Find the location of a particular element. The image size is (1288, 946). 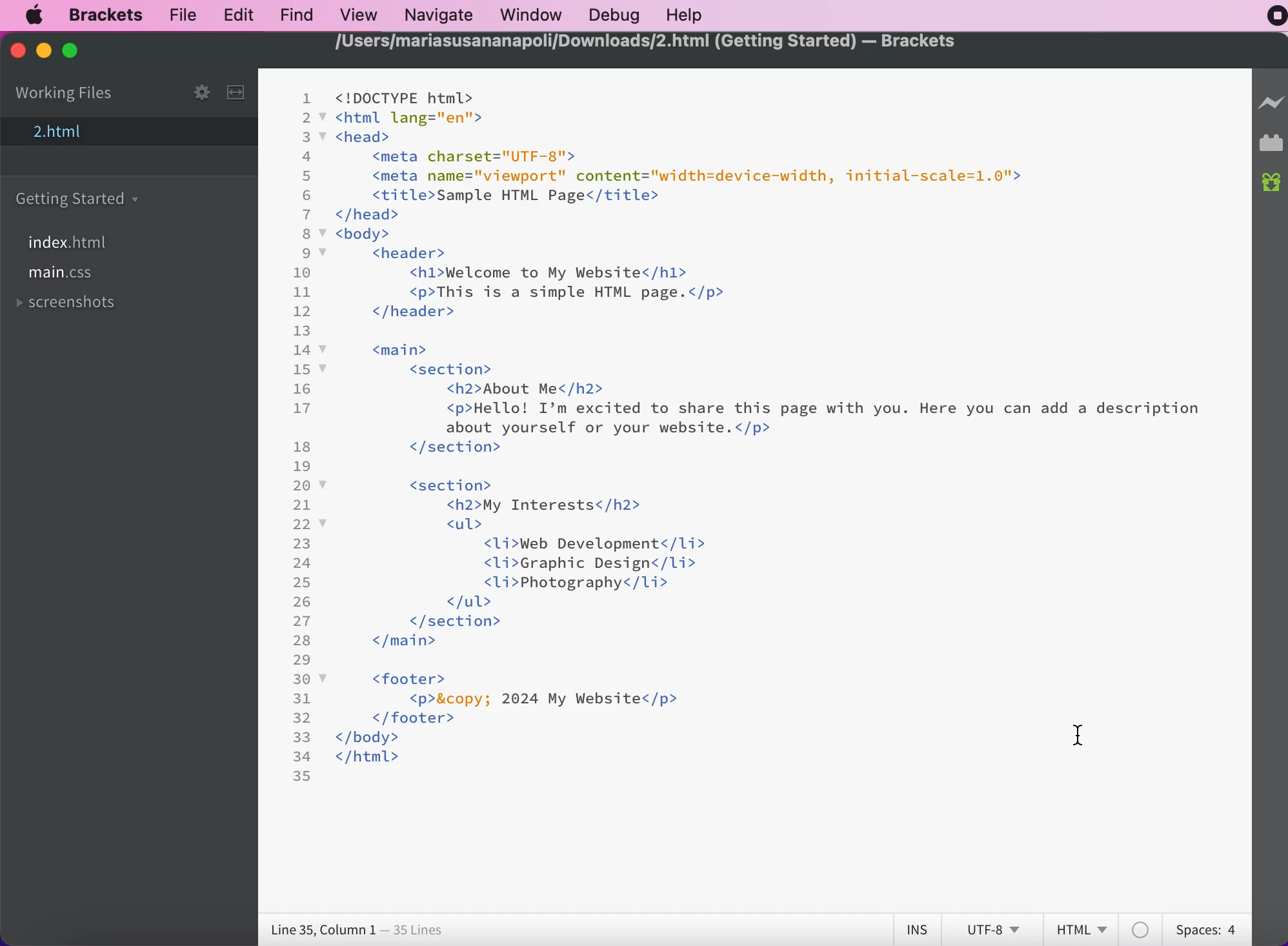

maximize is located at coordinates (72, 55).